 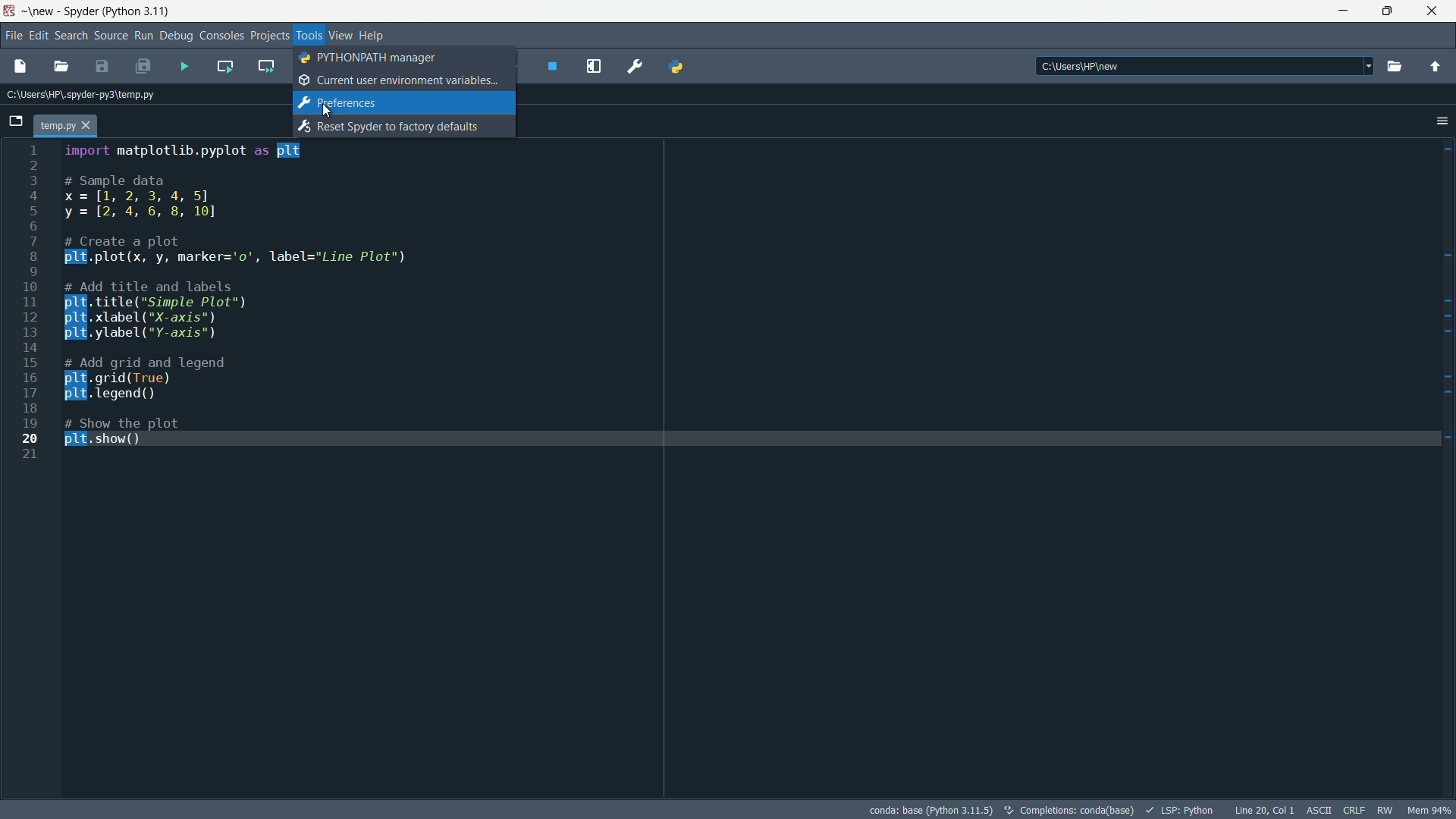 I want to click on text, so click(x=1071, y=811).